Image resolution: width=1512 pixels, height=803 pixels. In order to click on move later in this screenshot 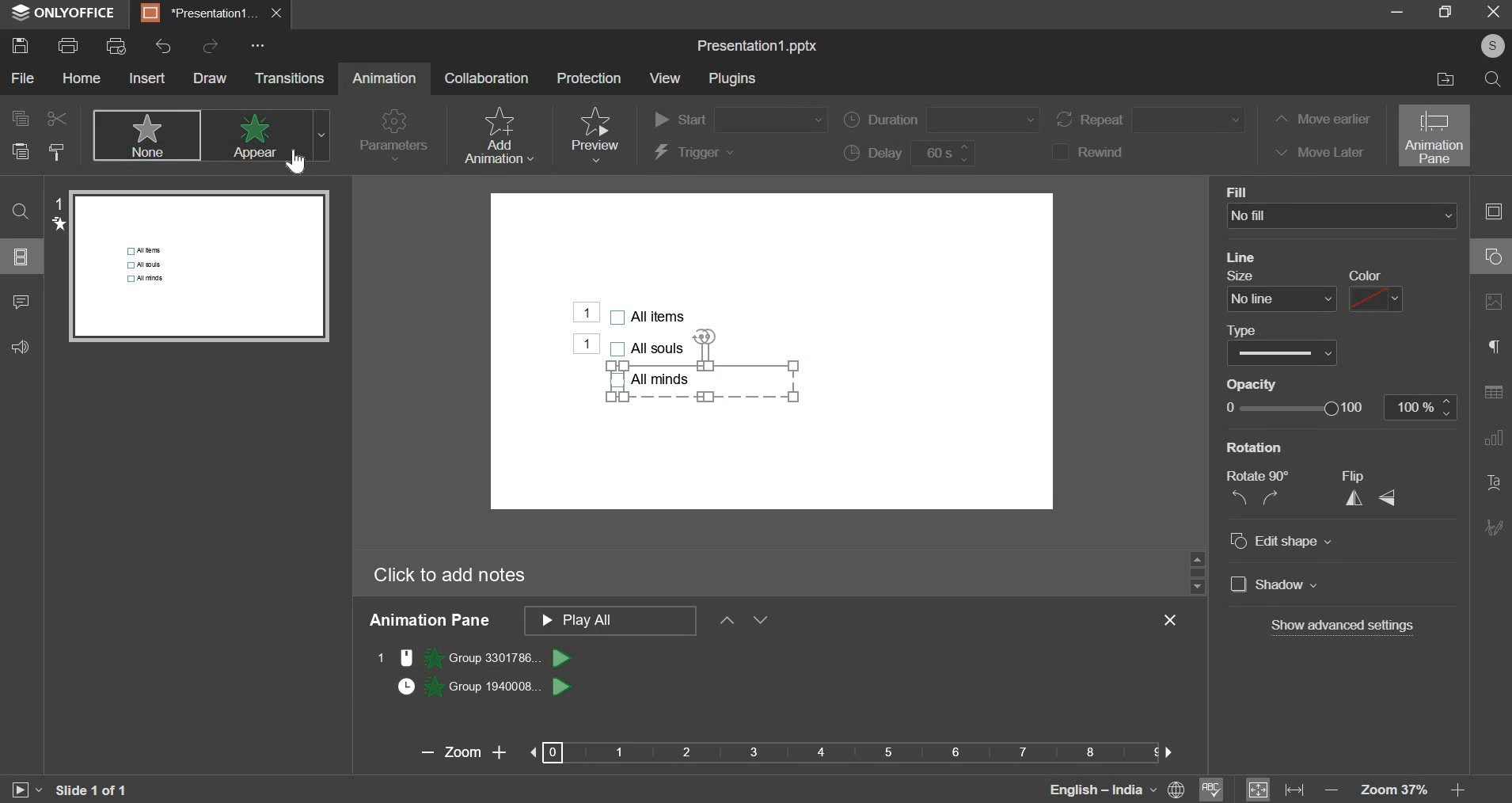, I will do `click(1316, 150)`.